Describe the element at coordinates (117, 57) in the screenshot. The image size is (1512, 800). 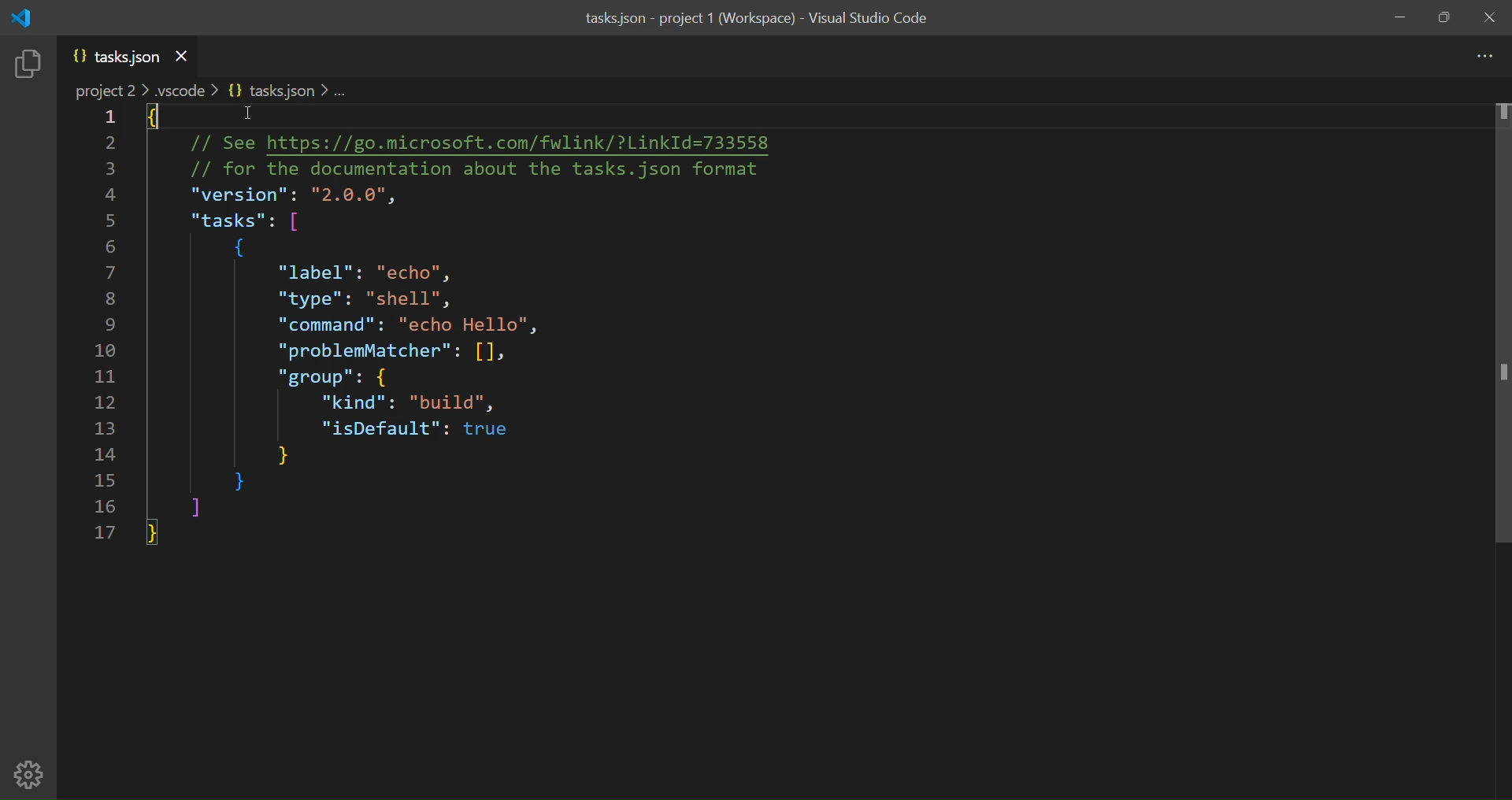
I see `json file name` at that location.